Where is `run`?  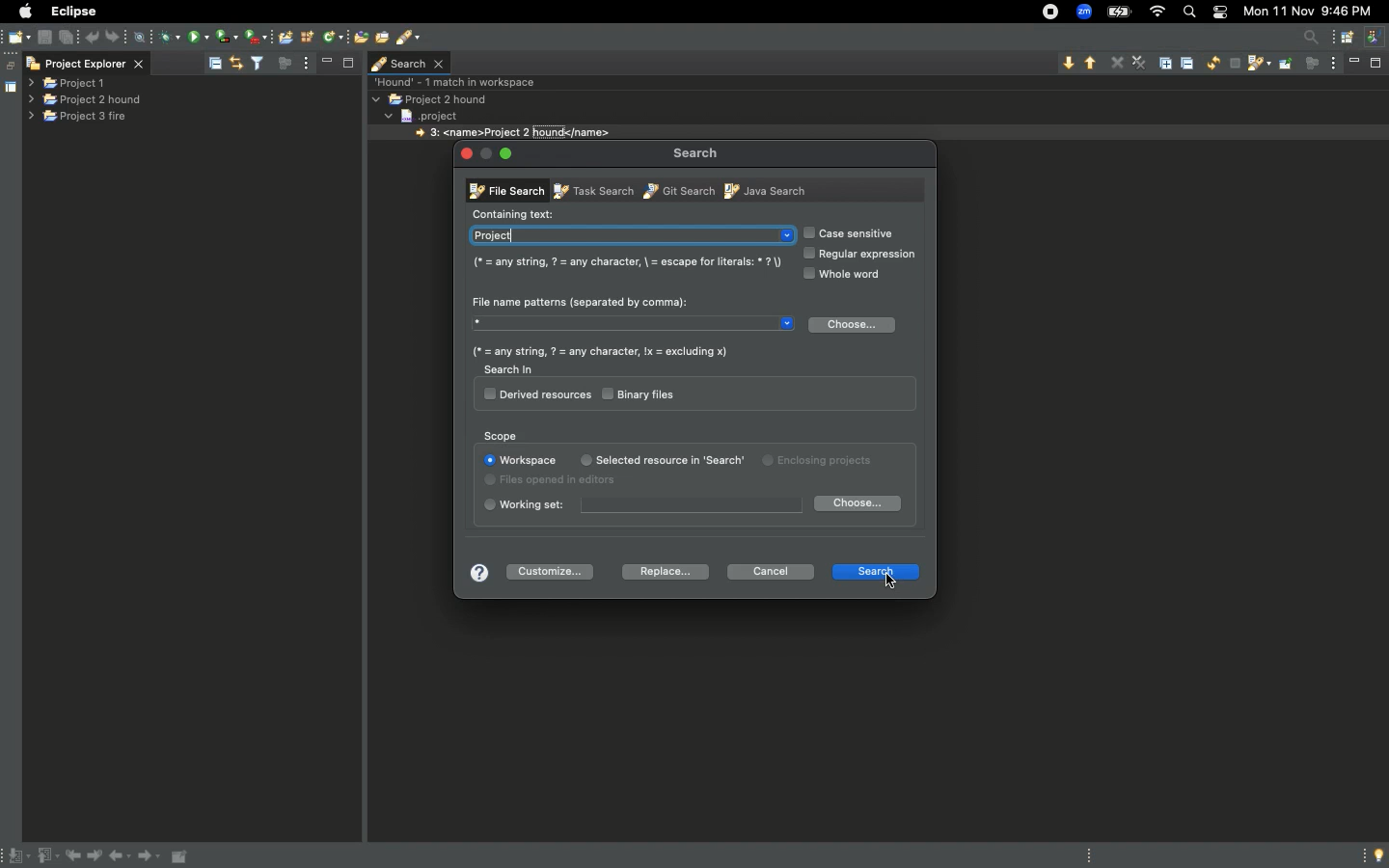
run is located at coordinates (199, 36).